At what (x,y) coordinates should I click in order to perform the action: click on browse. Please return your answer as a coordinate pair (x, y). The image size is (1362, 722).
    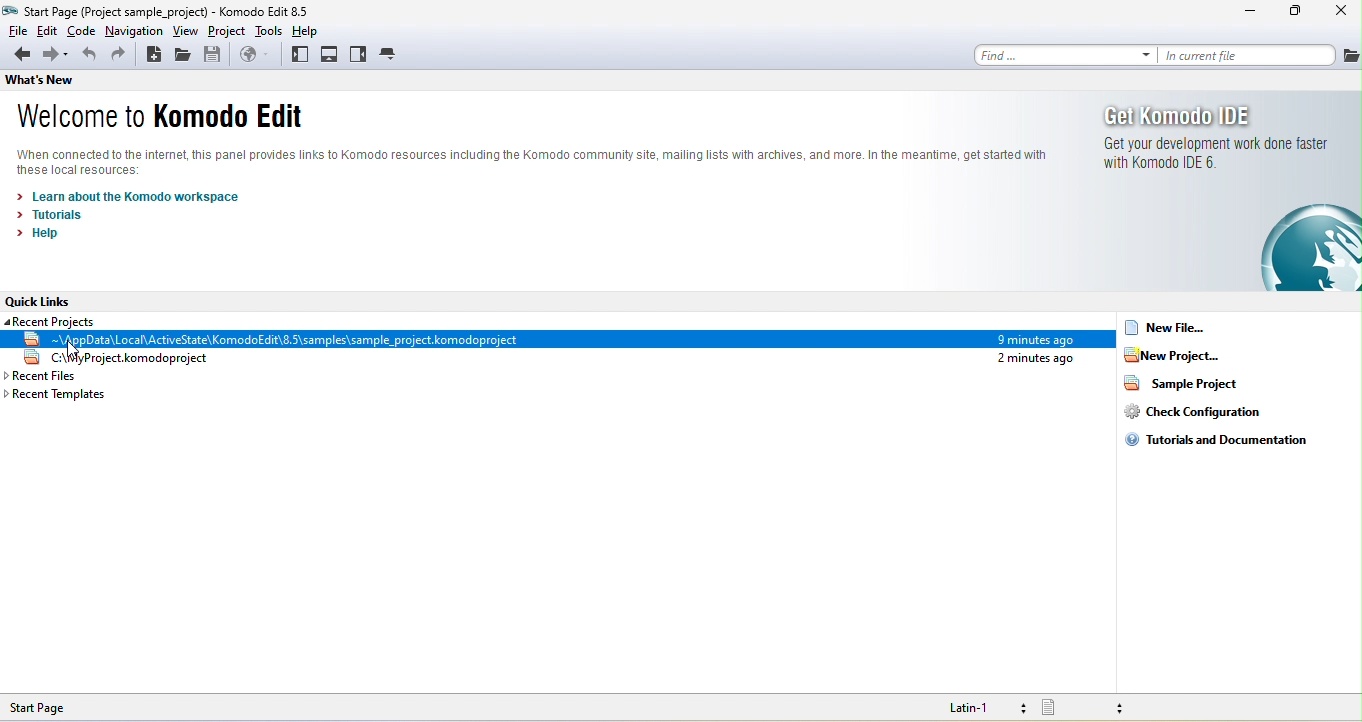
    Looking at the image, I should click on (255, 53).